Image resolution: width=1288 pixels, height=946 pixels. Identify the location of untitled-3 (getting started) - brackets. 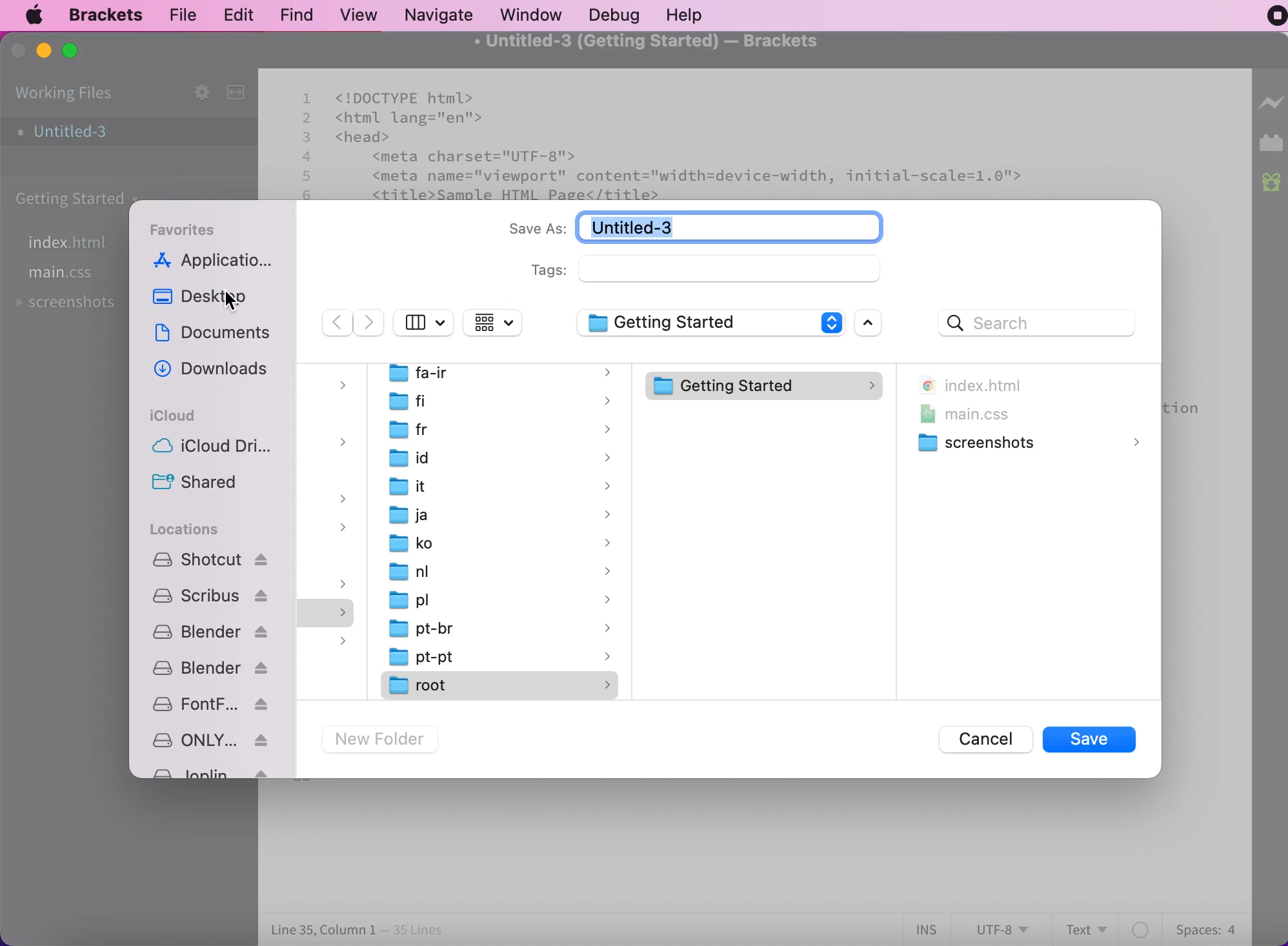
(666, 47).